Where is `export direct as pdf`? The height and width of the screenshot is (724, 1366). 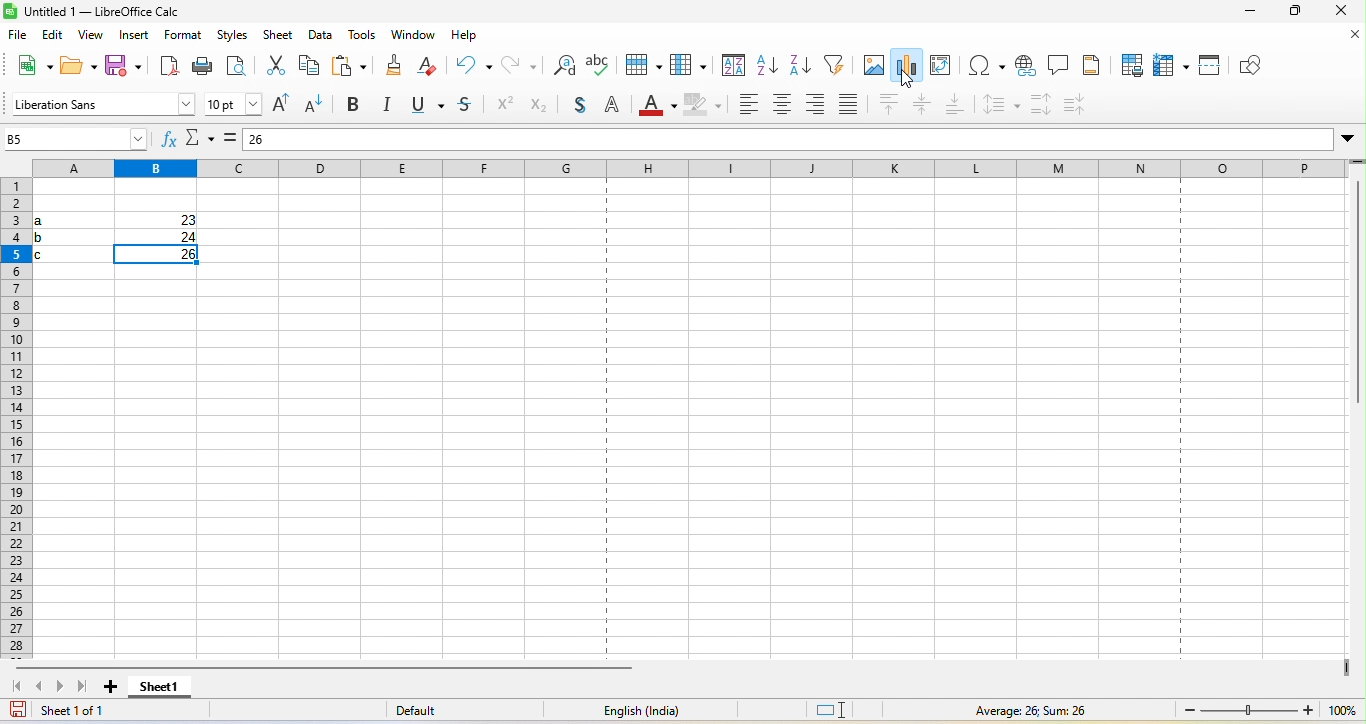
export direct as pdf is located at coordinates (167, 68).